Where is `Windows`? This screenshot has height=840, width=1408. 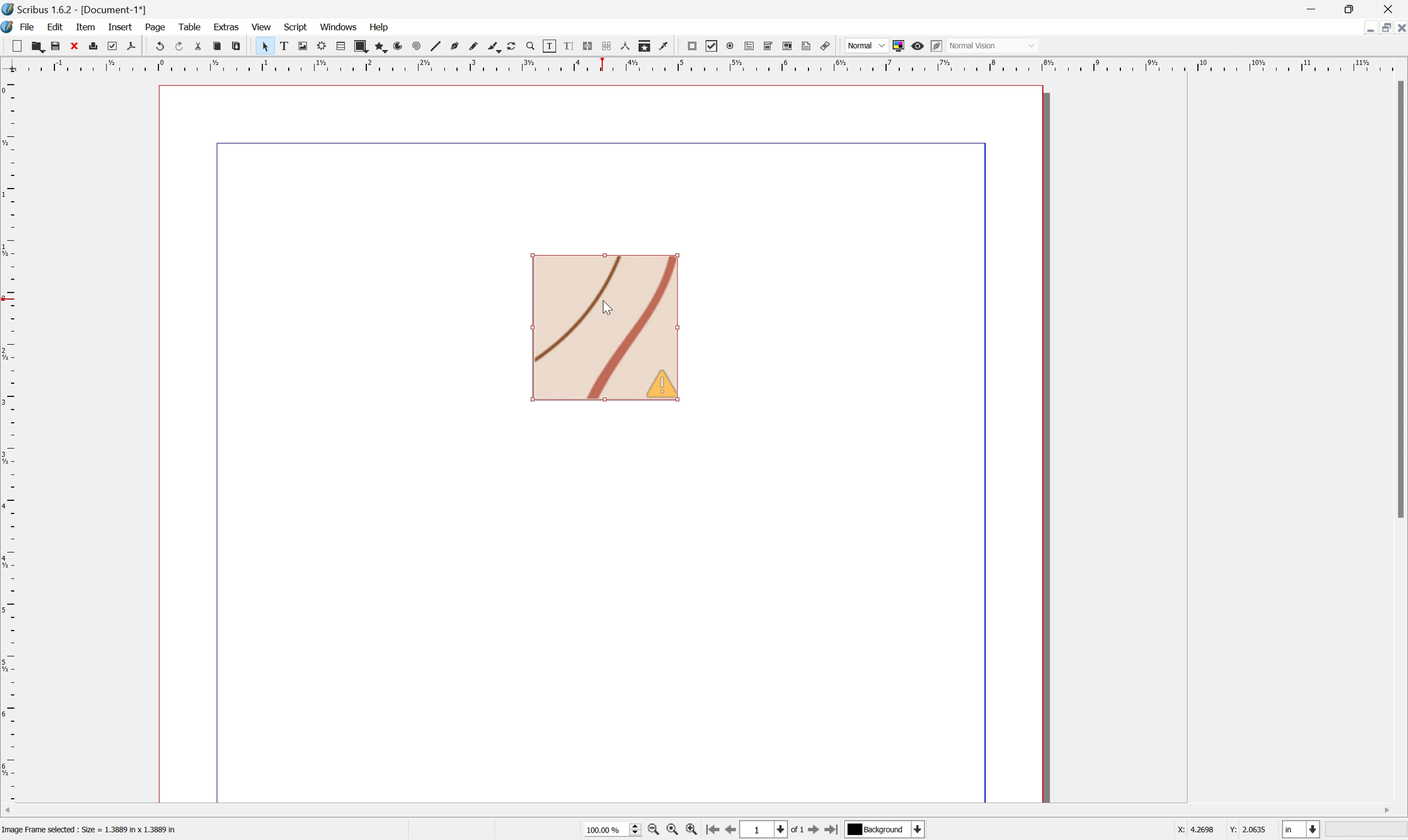 Windows is located at coordinates (339, 26).